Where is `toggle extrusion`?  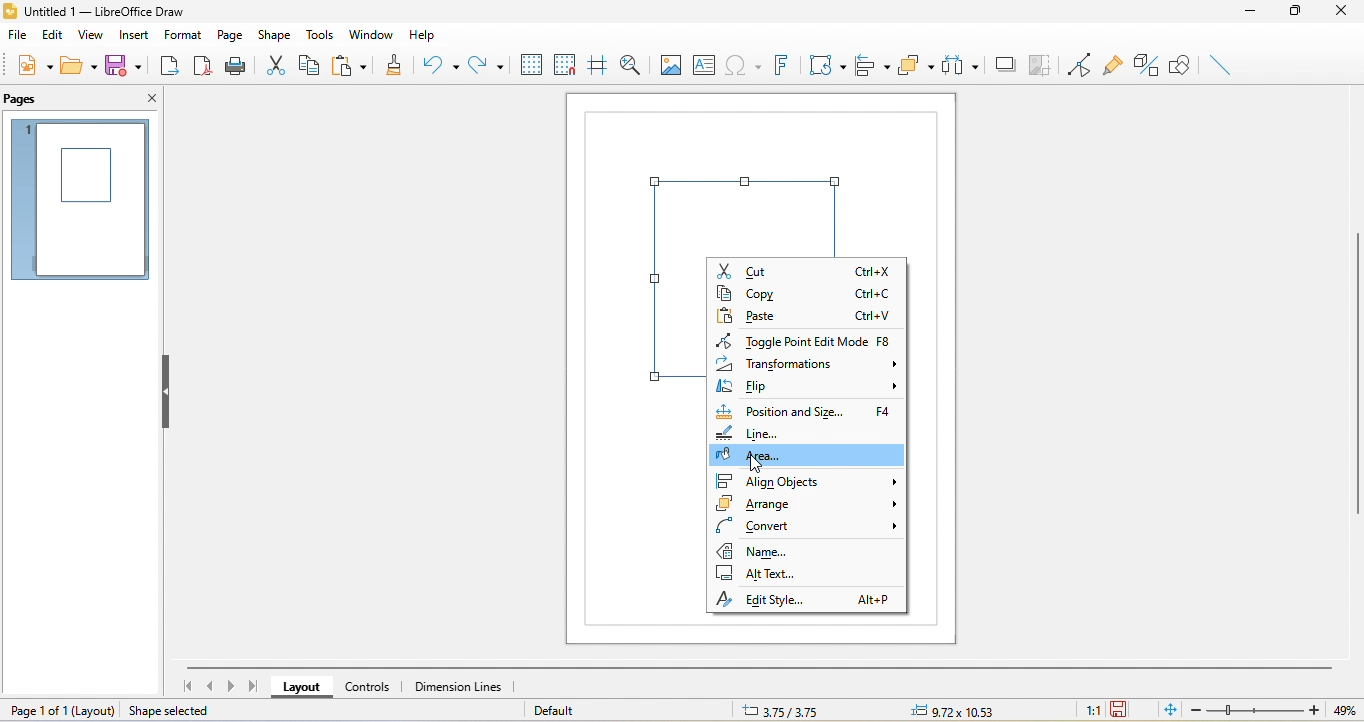
toggle extrusion is located at coordinates (1146, 65).